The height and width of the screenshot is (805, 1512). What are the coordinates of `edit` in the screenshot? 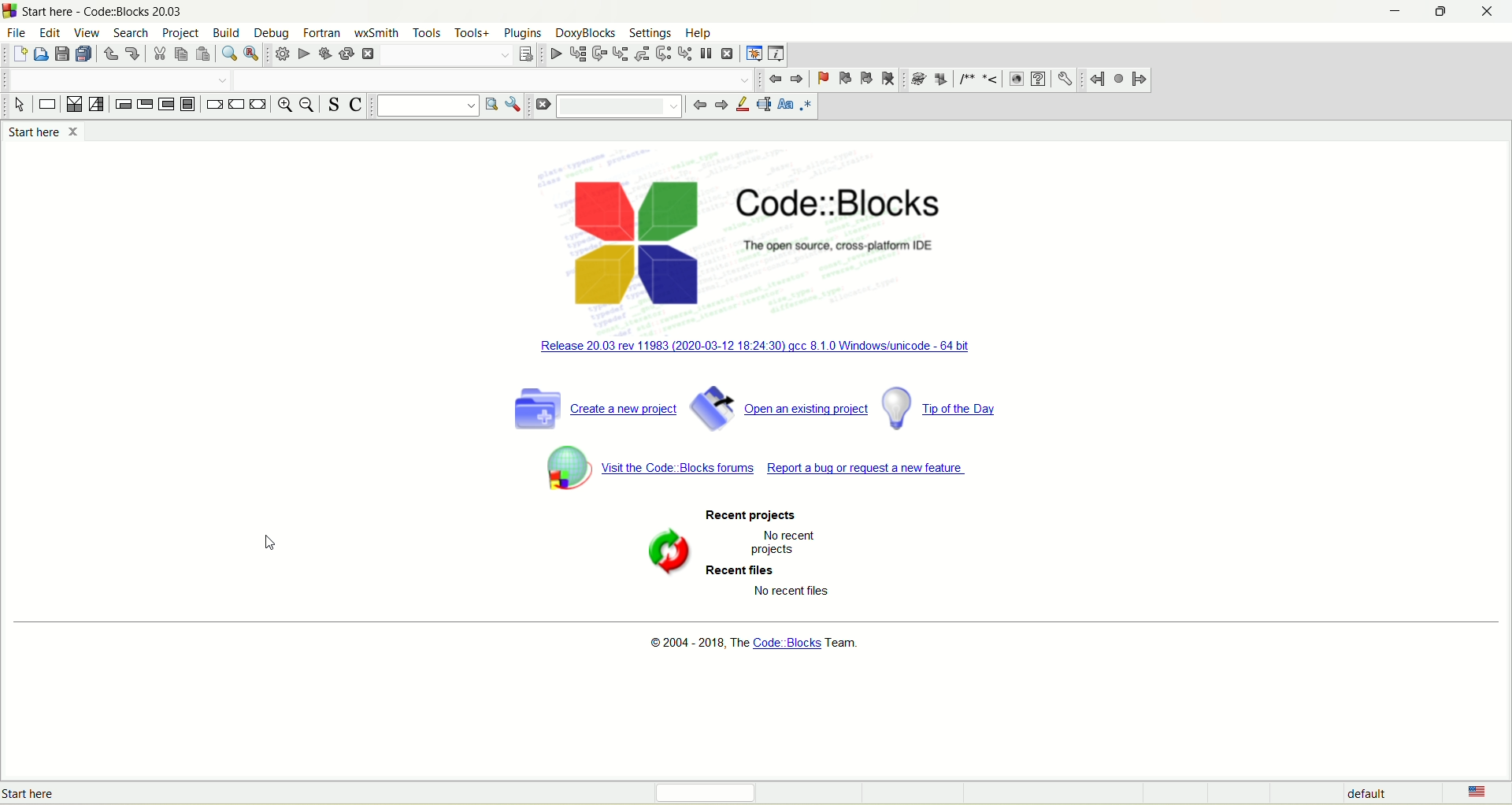 It's located at (51, 32).